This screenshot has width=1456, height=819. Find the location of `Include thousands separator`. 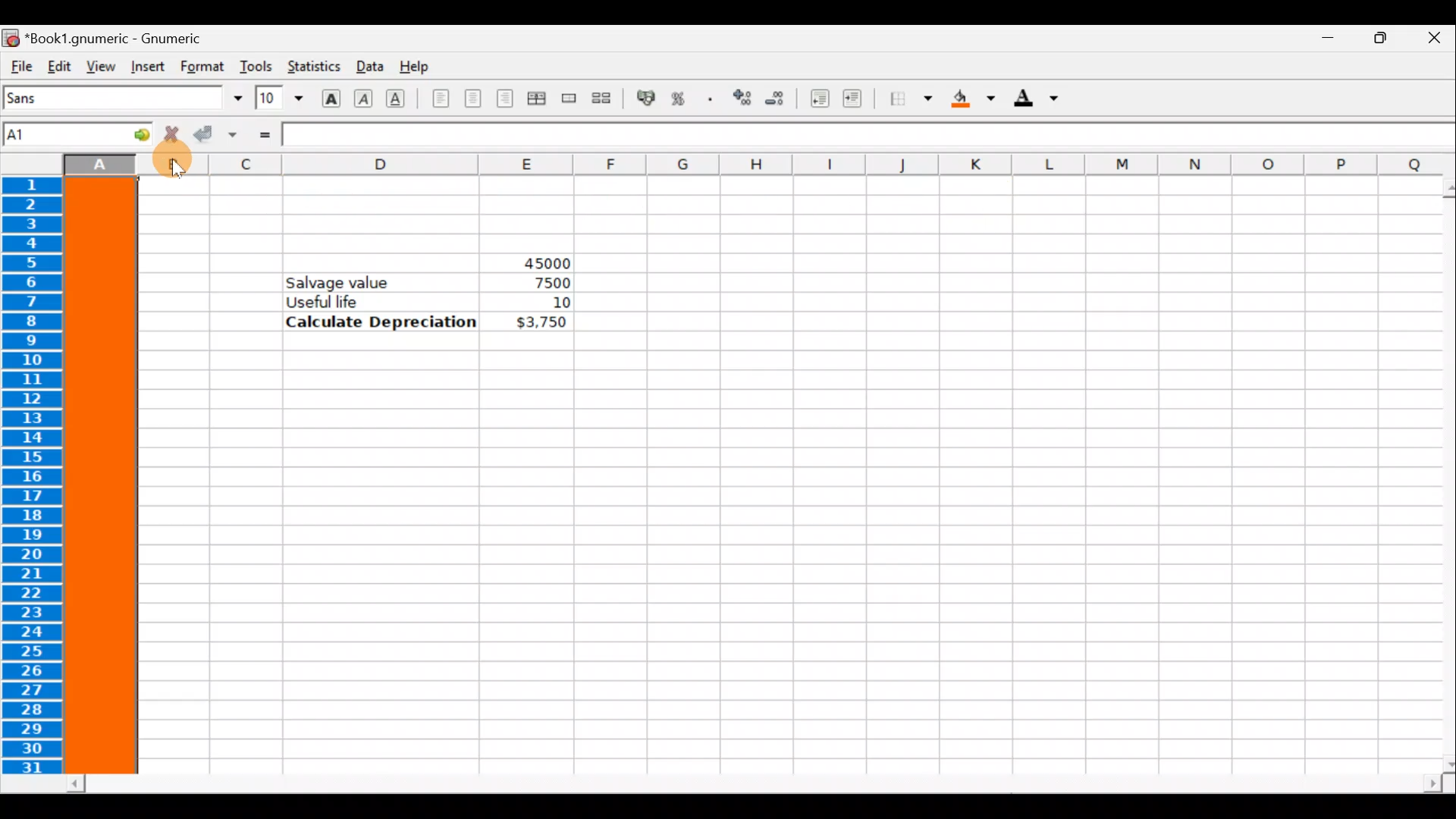

Include thousands separator is located at coordinates (711, 99).